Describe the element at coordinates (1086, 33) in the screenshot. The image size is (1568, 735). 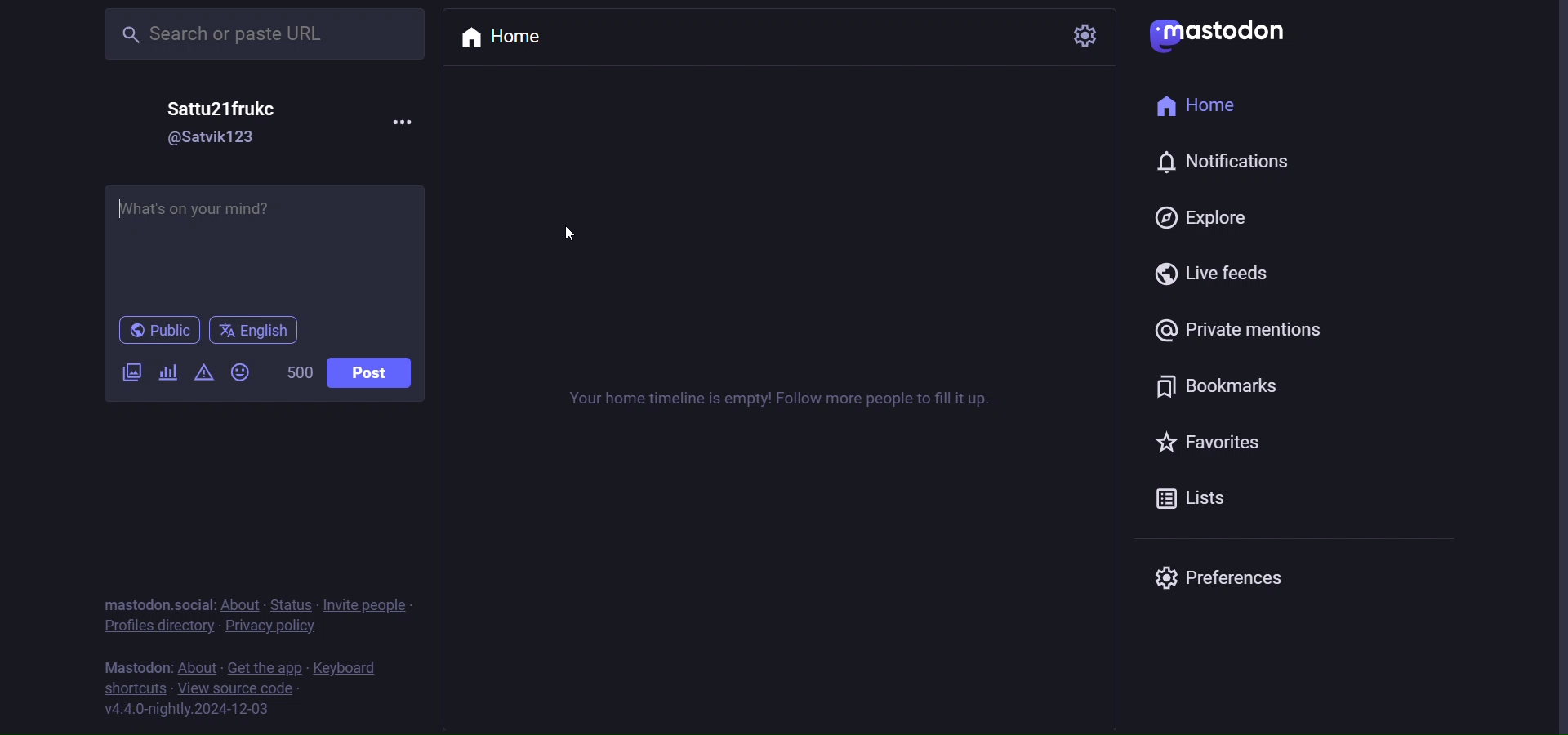
I see `setting` at that location.